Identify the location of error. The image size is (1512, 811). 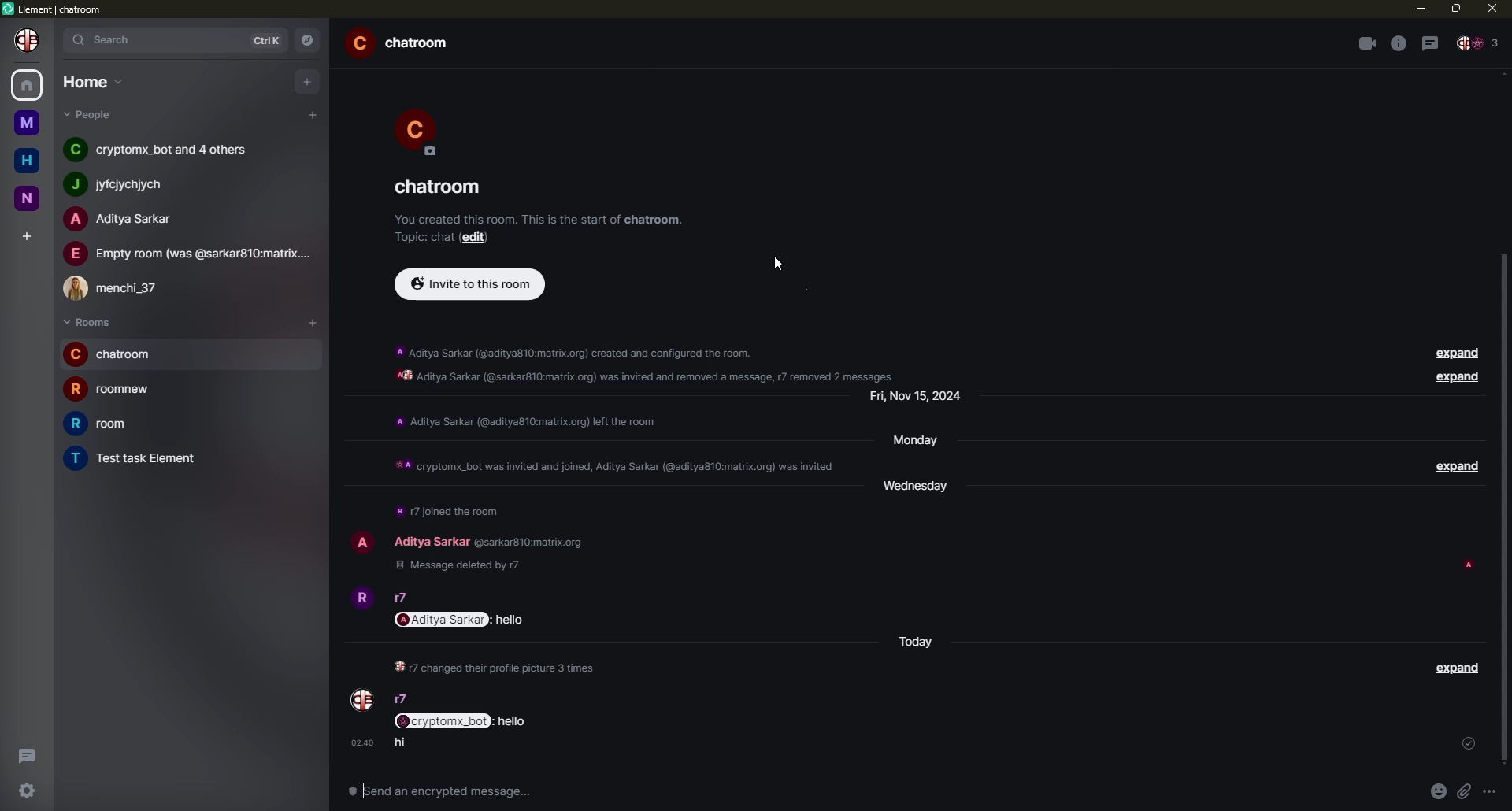
(310, 355).